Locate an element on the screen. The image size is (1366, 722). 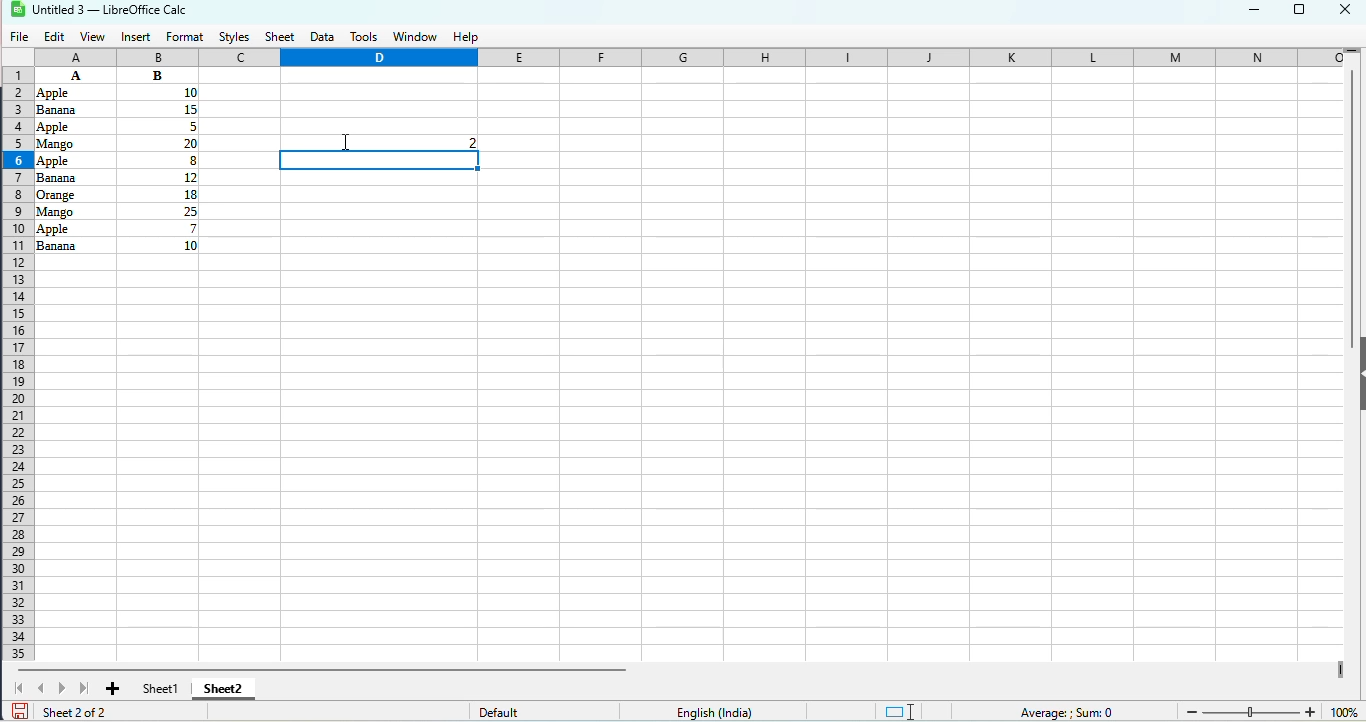
scroll to first sheet is located at coordinates (18, 687).